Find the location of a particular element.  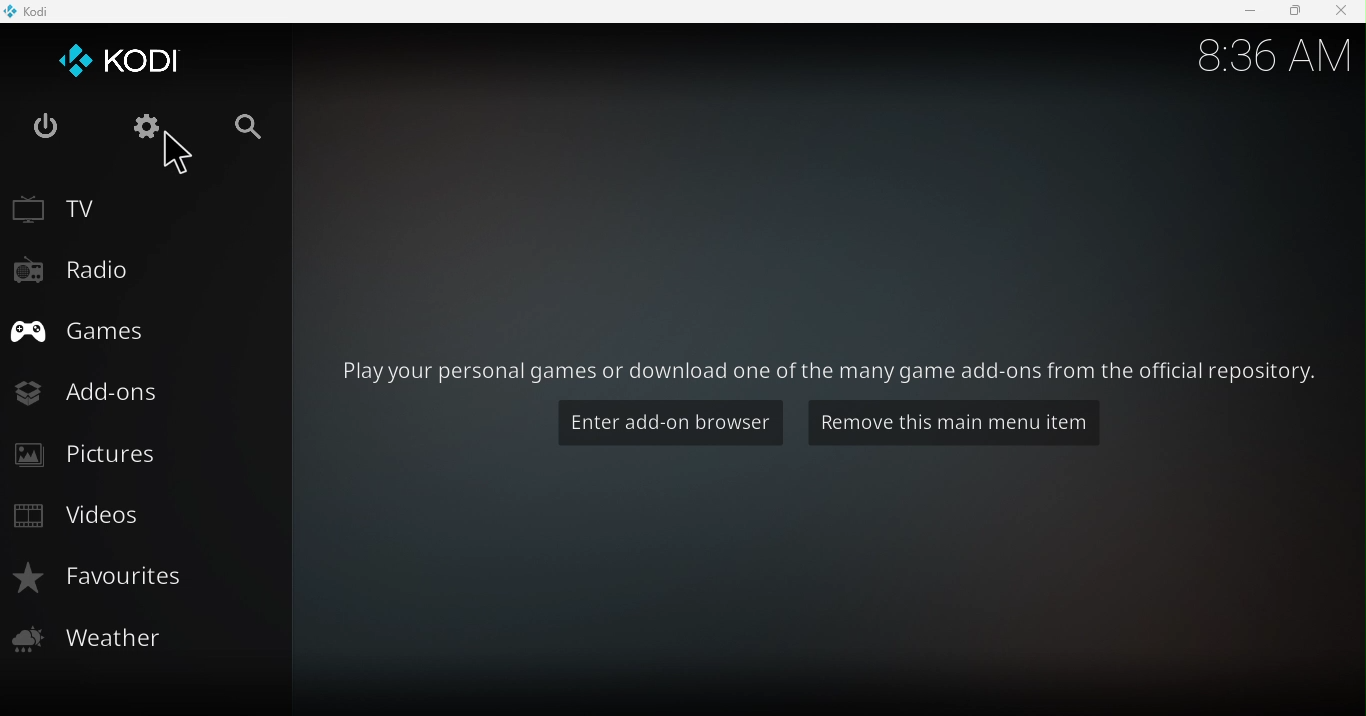

Pictures is located at coordinates (139, 455).